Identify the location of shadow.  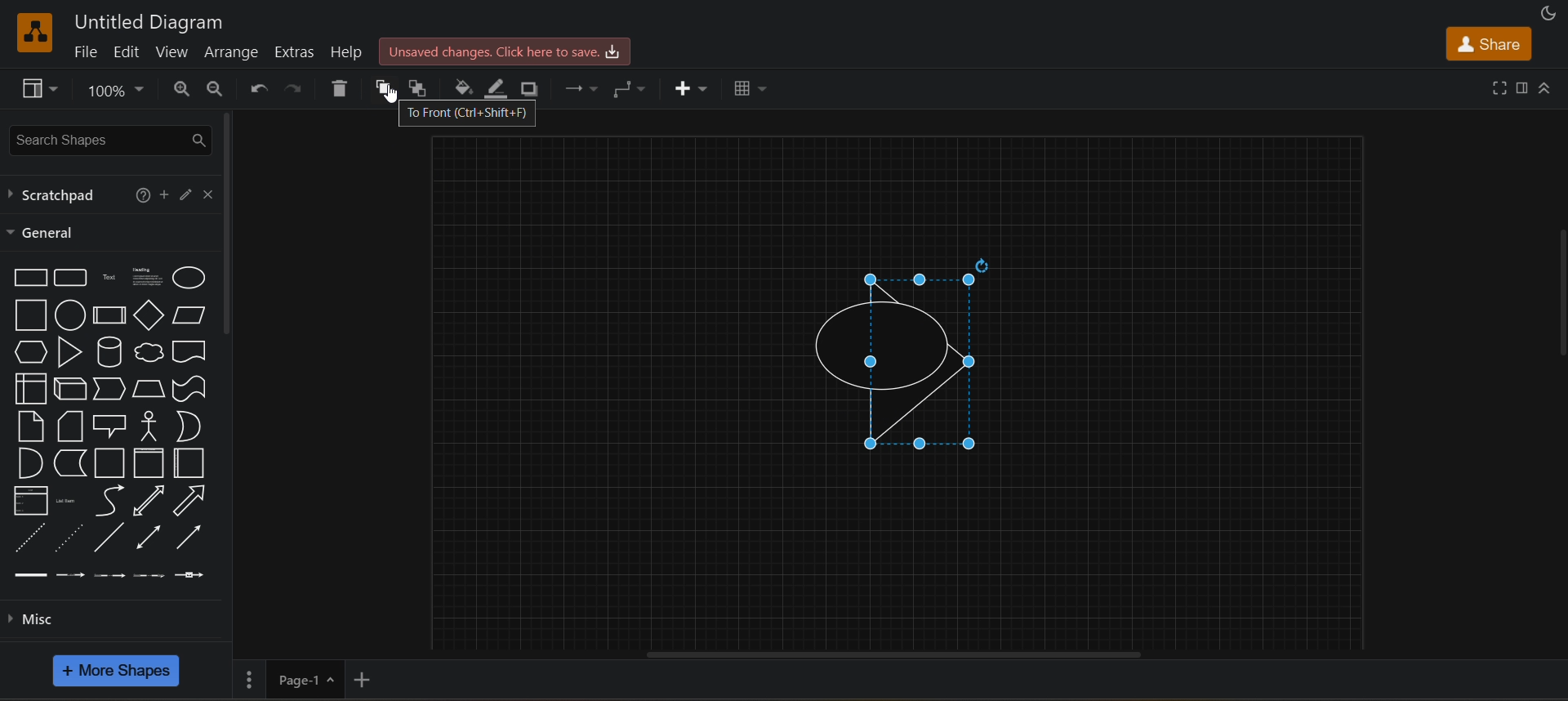
(532, 90).